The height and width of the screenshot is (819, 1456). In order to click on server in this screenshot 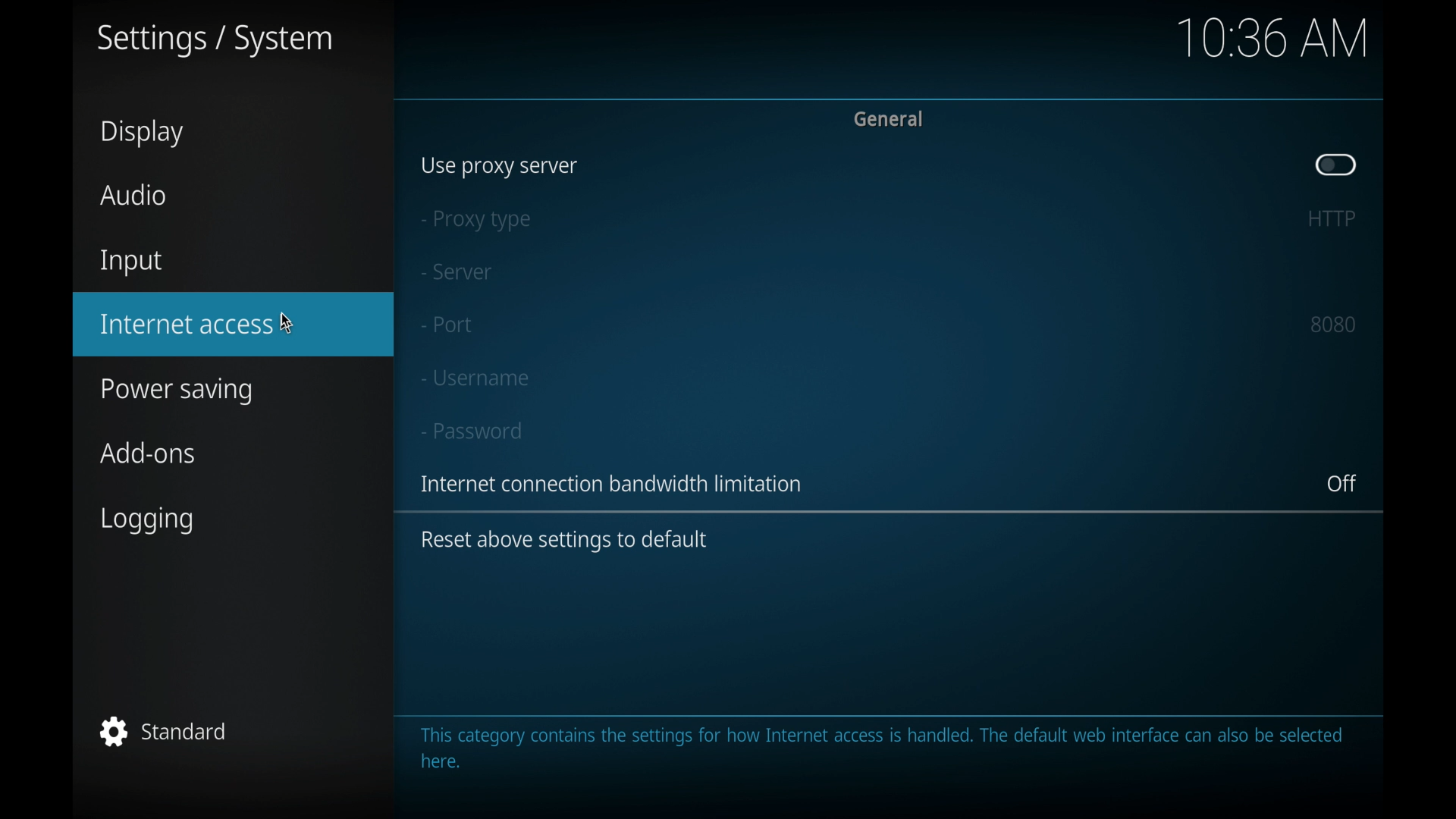, I will do `click(456, 272)`.